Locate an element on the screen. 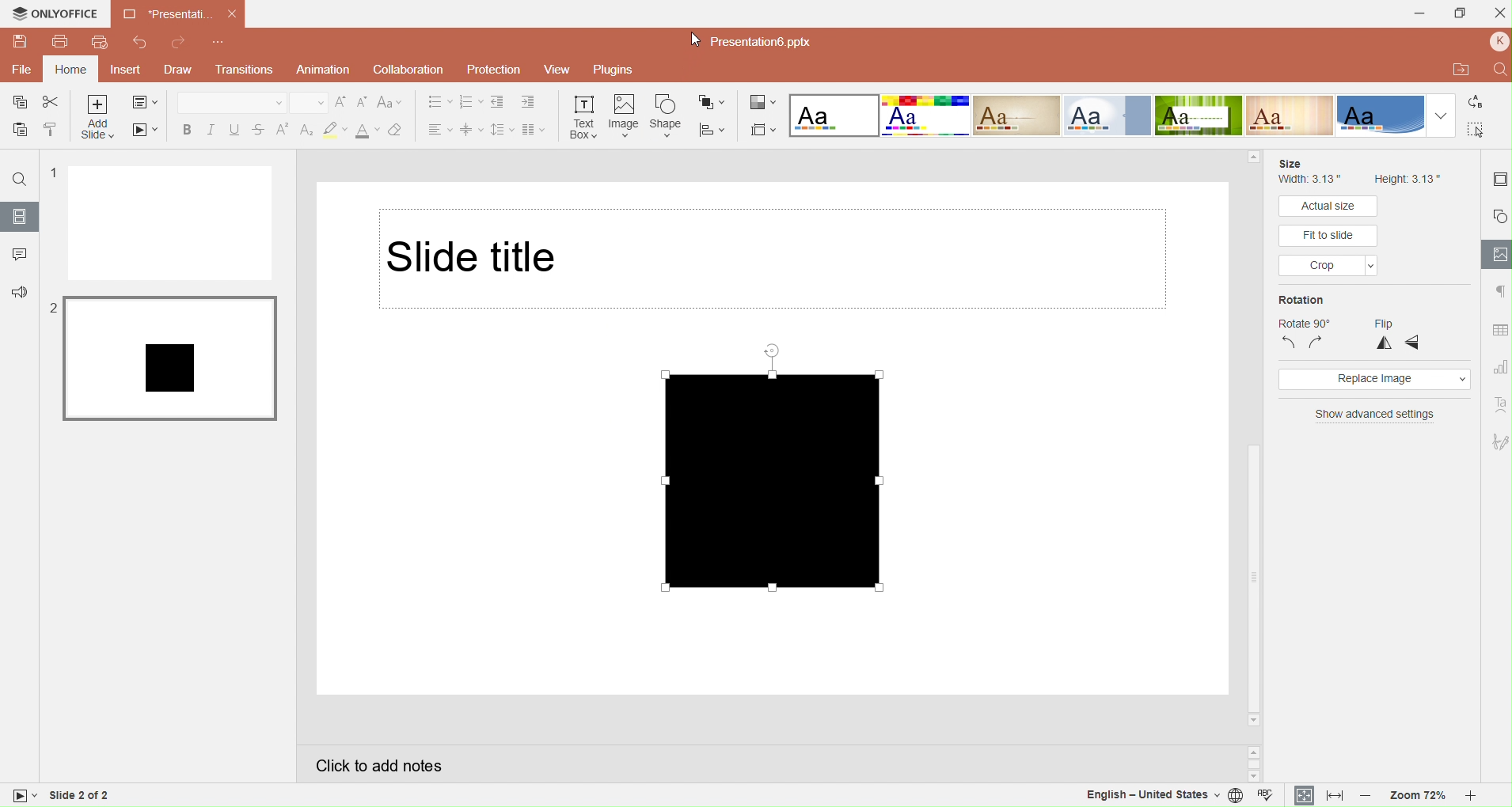 This screenshot has width=1512, height=807. Save is located at coordinates (19, 41).